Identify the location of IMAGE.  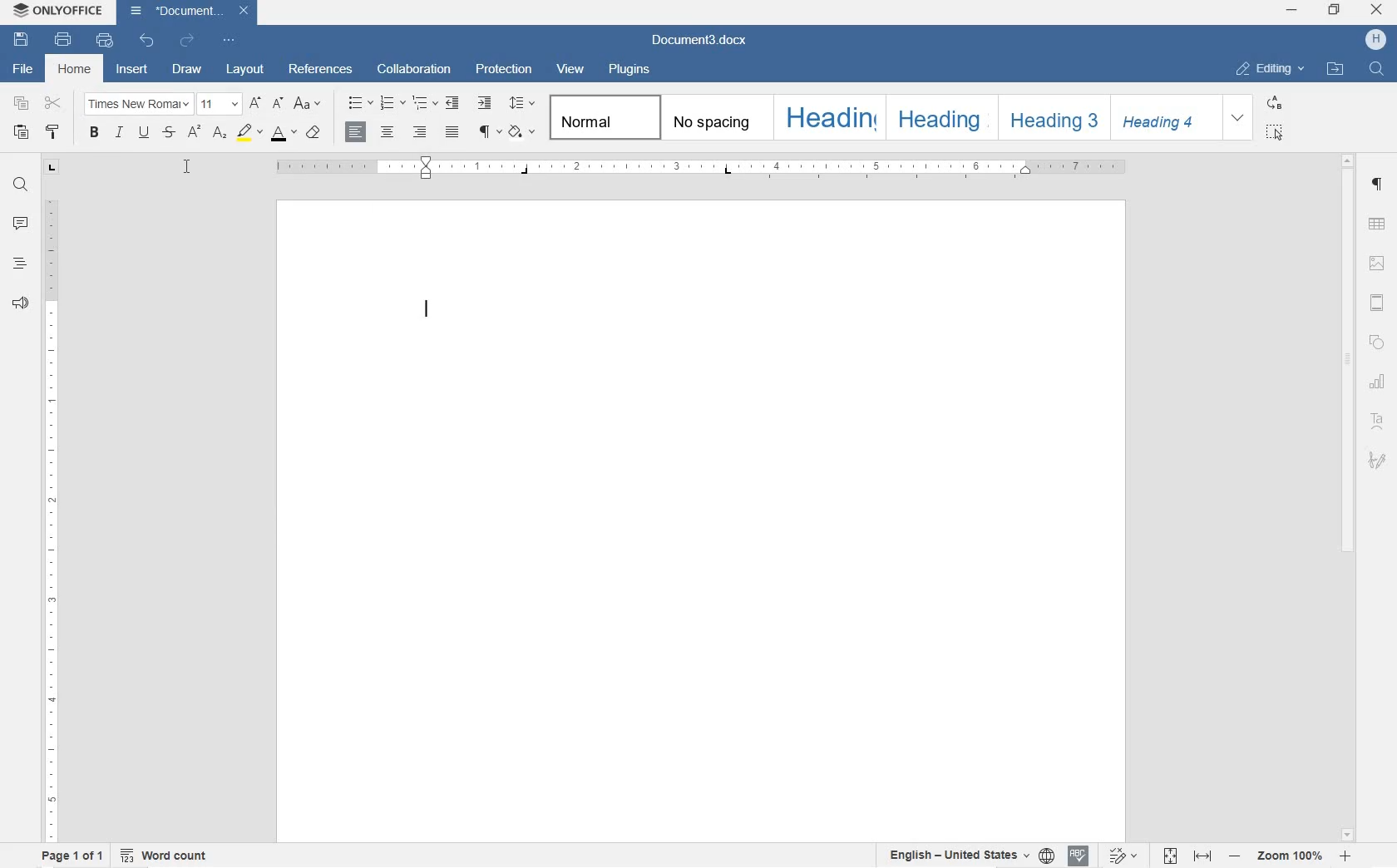
(1378, 264).